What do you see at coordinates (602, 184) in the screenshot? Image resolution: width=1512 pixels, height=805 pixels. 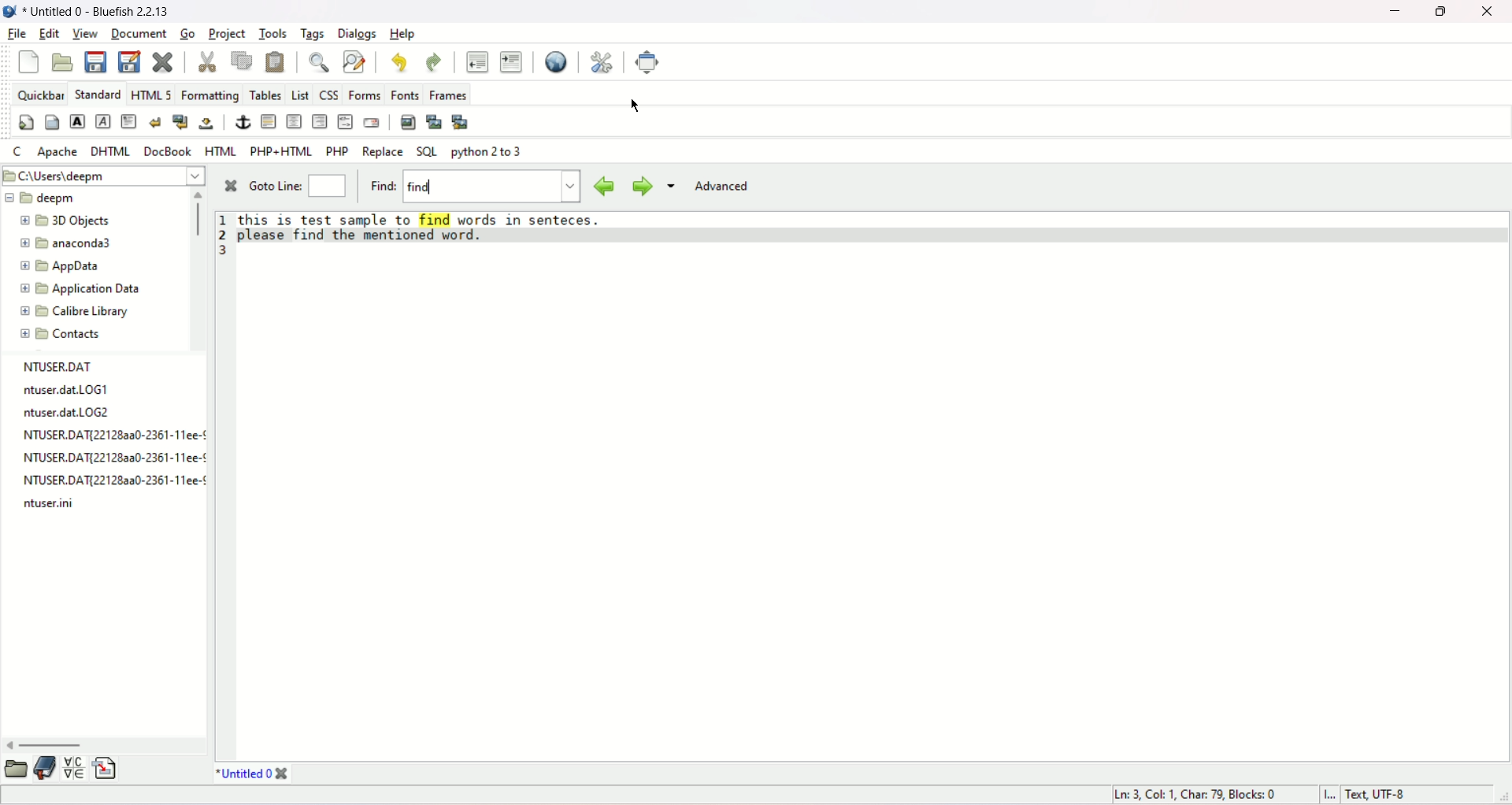 I see `previous` at bounding box center [602, 184].